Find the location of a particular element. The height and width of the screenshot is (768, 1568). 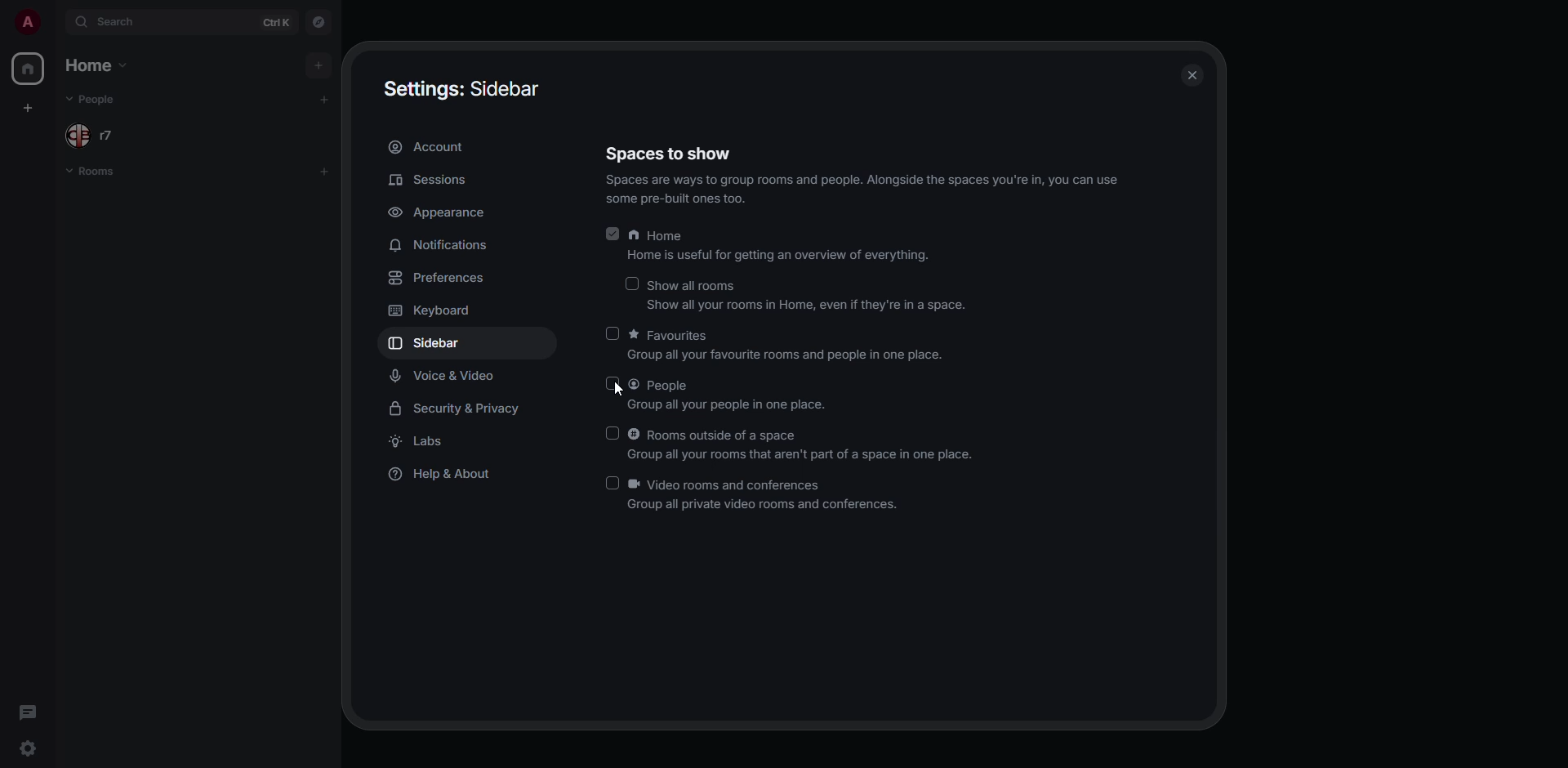

click to enable is located at coordinates (613, 484).